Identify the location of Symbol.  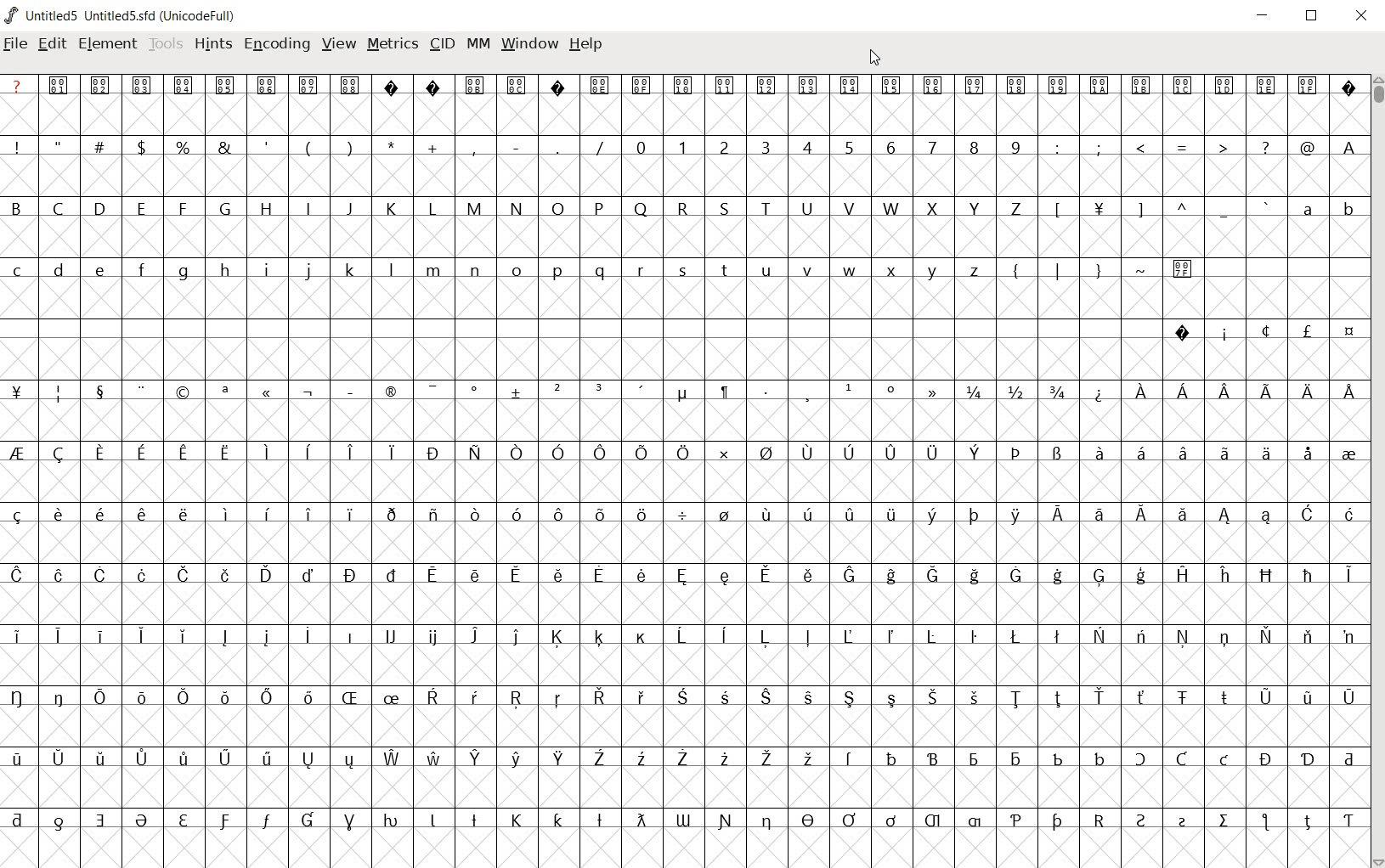
(517, 699).